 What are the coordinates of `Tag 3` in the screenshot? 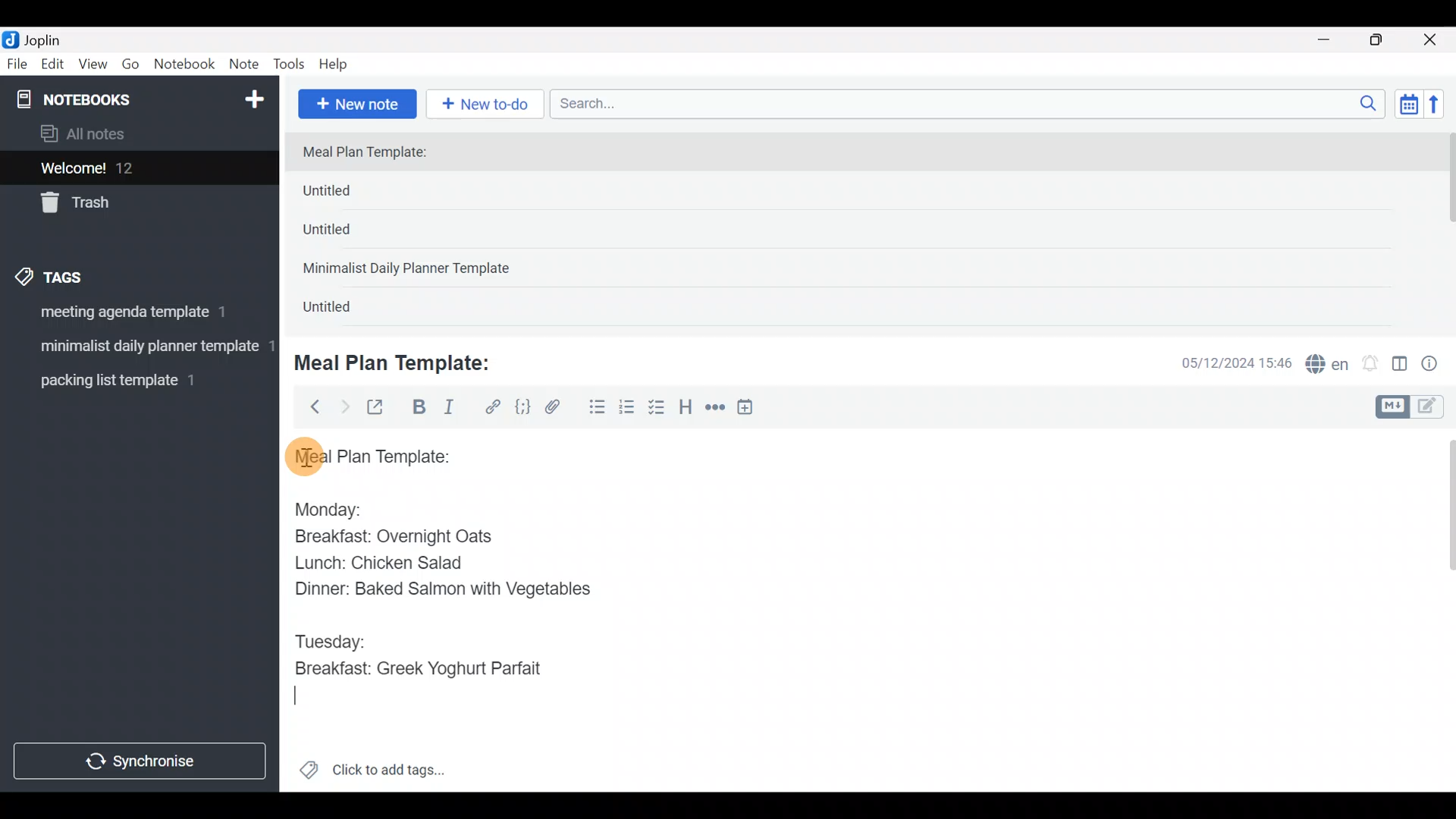 It's located at (134, 380).